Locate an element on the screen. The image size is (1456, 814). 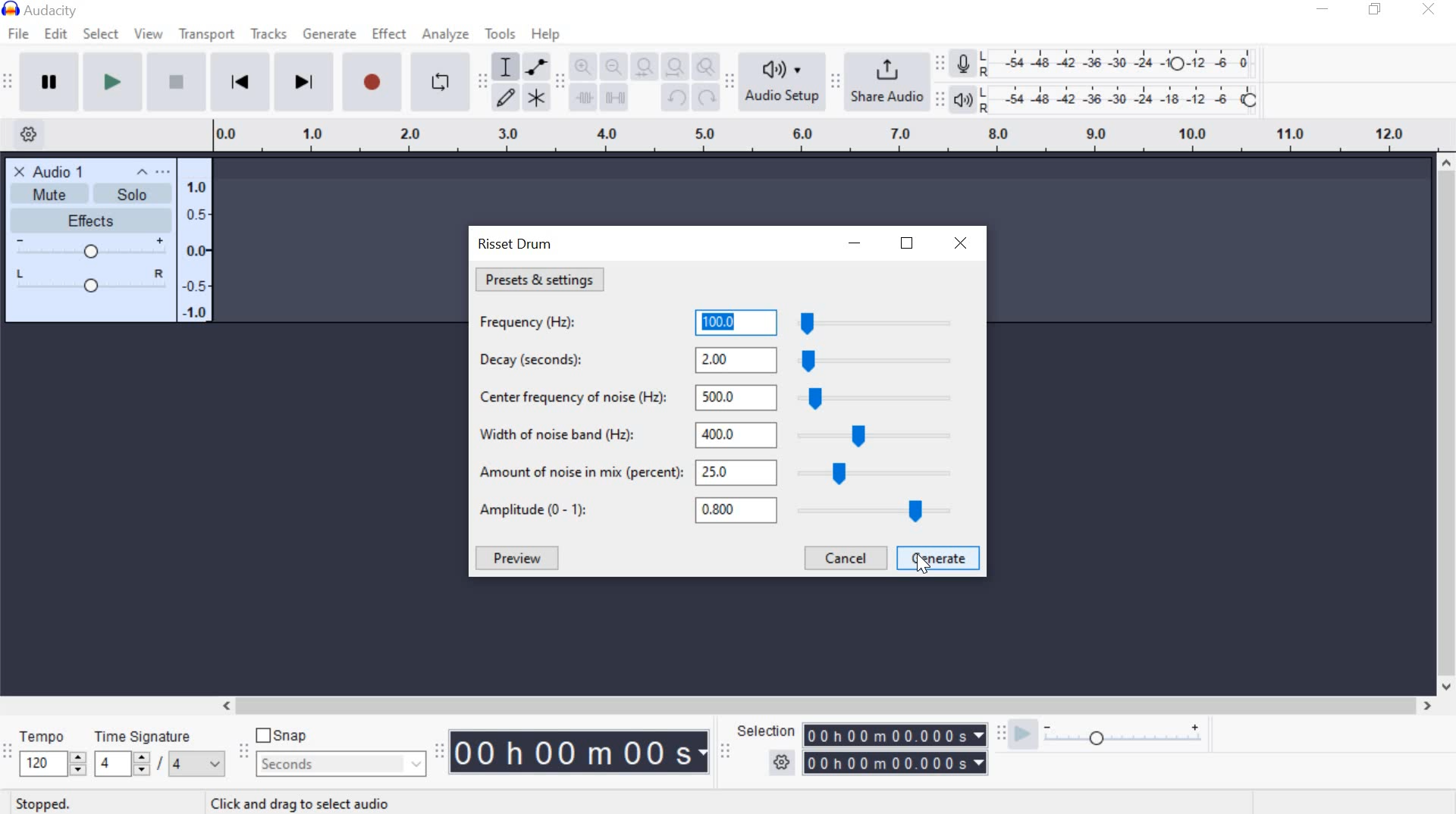
analyze is located at coordinates (447, 36).